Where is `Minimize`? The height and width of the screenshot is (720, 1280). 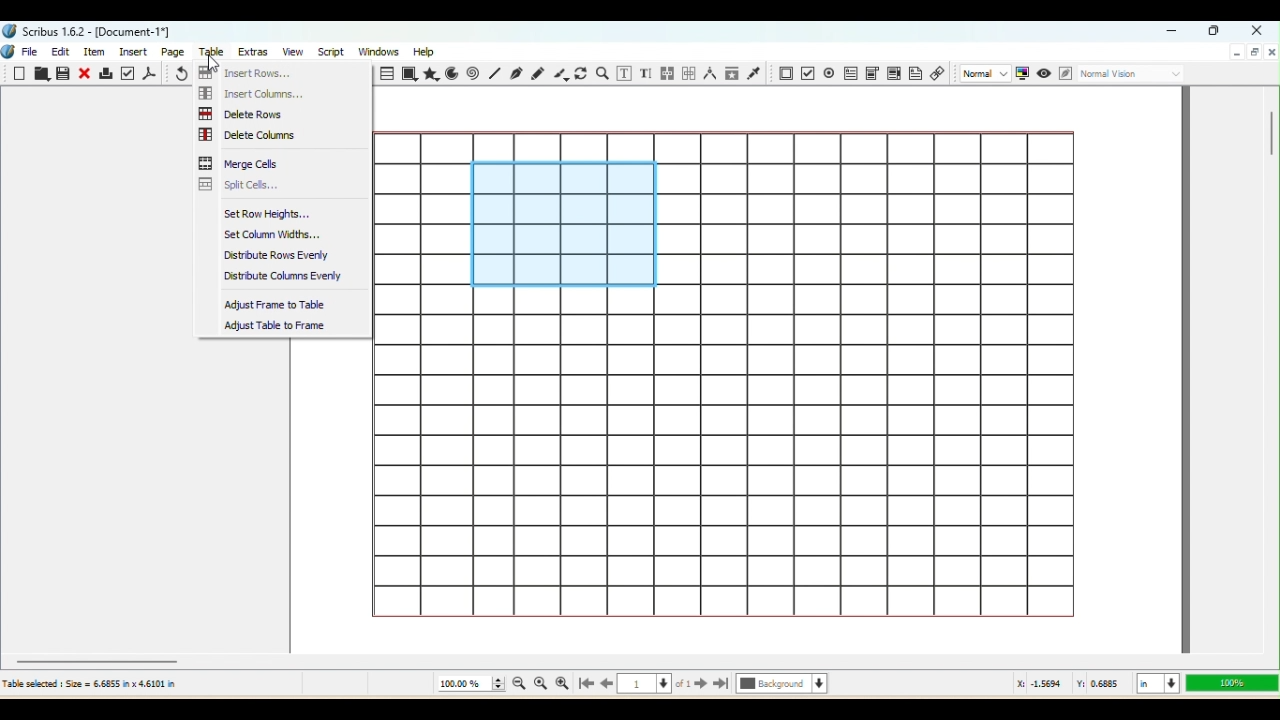 Minimize is located at coordinates (1236, 53).